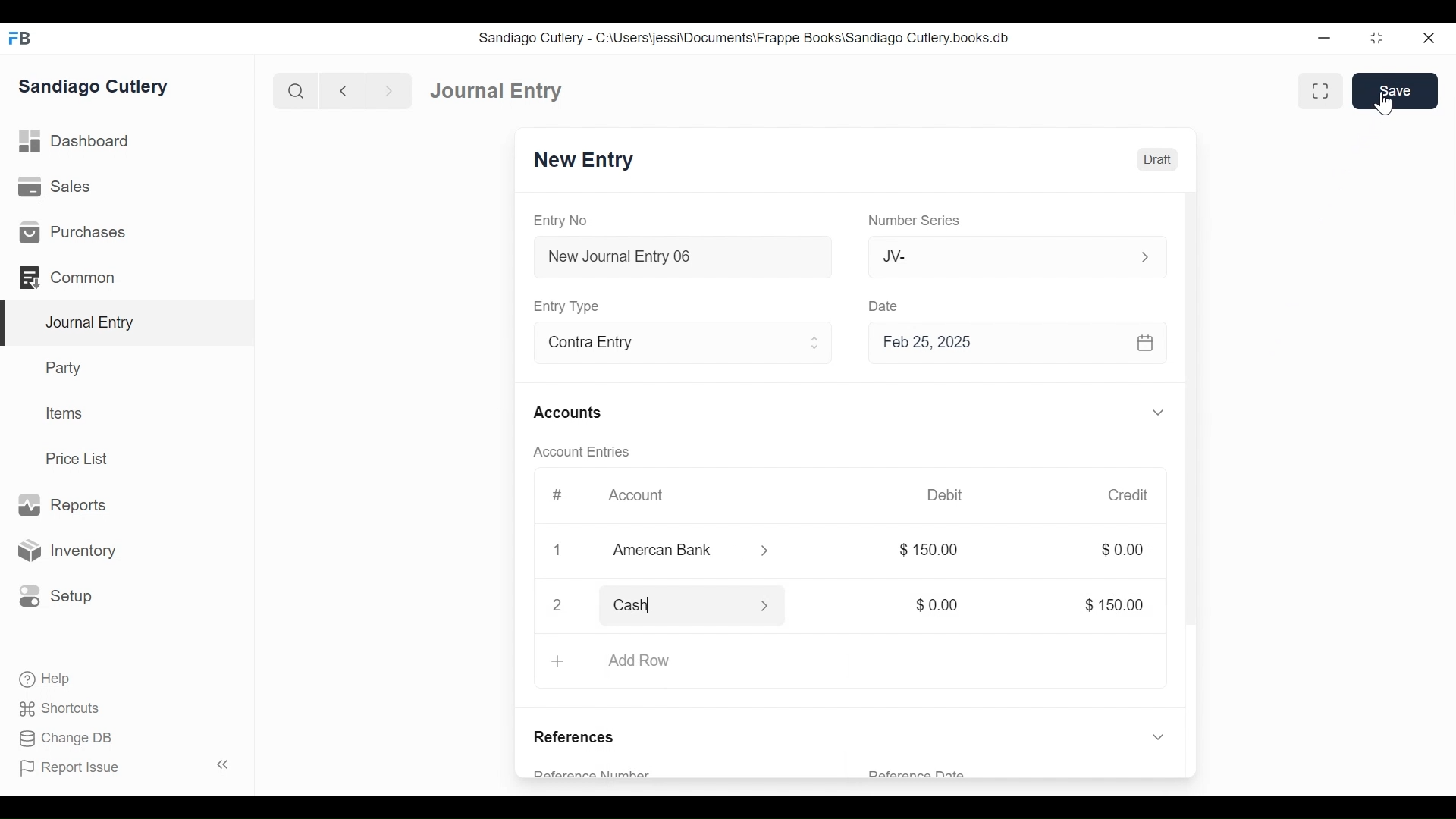 The width and height of the screenshot is (1456, 819). I want to click on Sandiago Cutlery, so click(96, 87).